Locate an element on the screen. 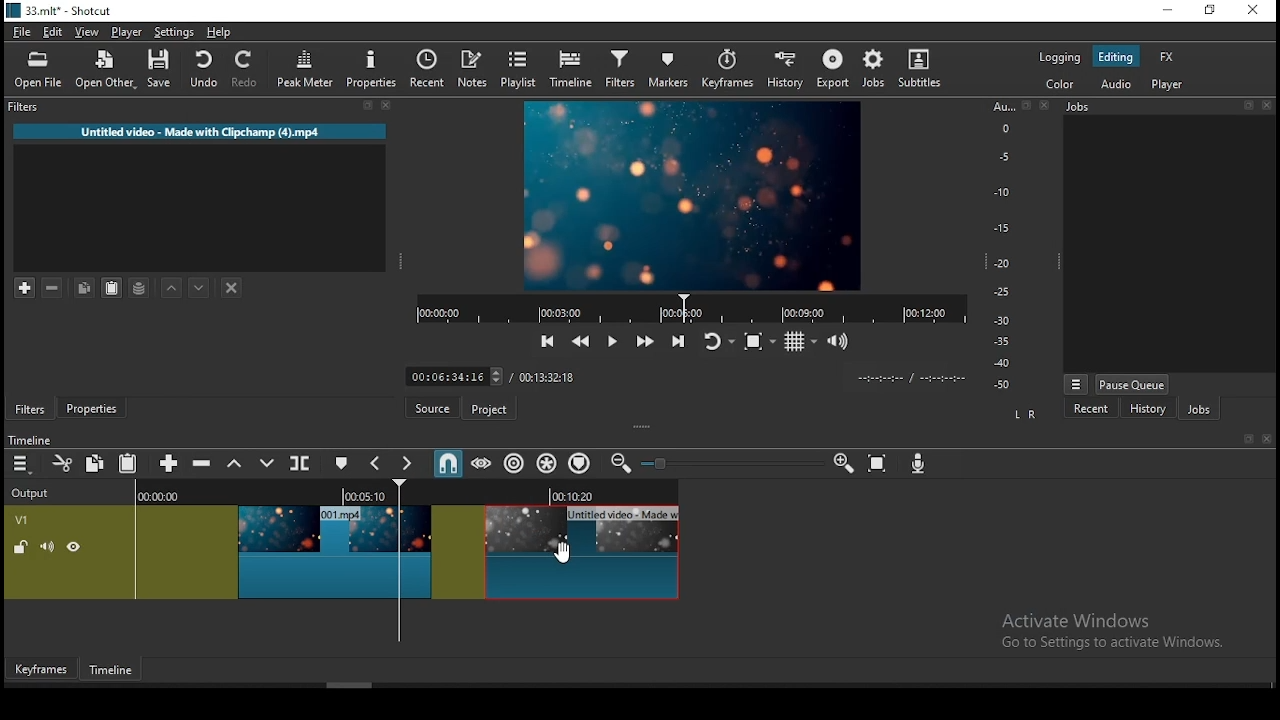   is located at coordinates (680, 375).